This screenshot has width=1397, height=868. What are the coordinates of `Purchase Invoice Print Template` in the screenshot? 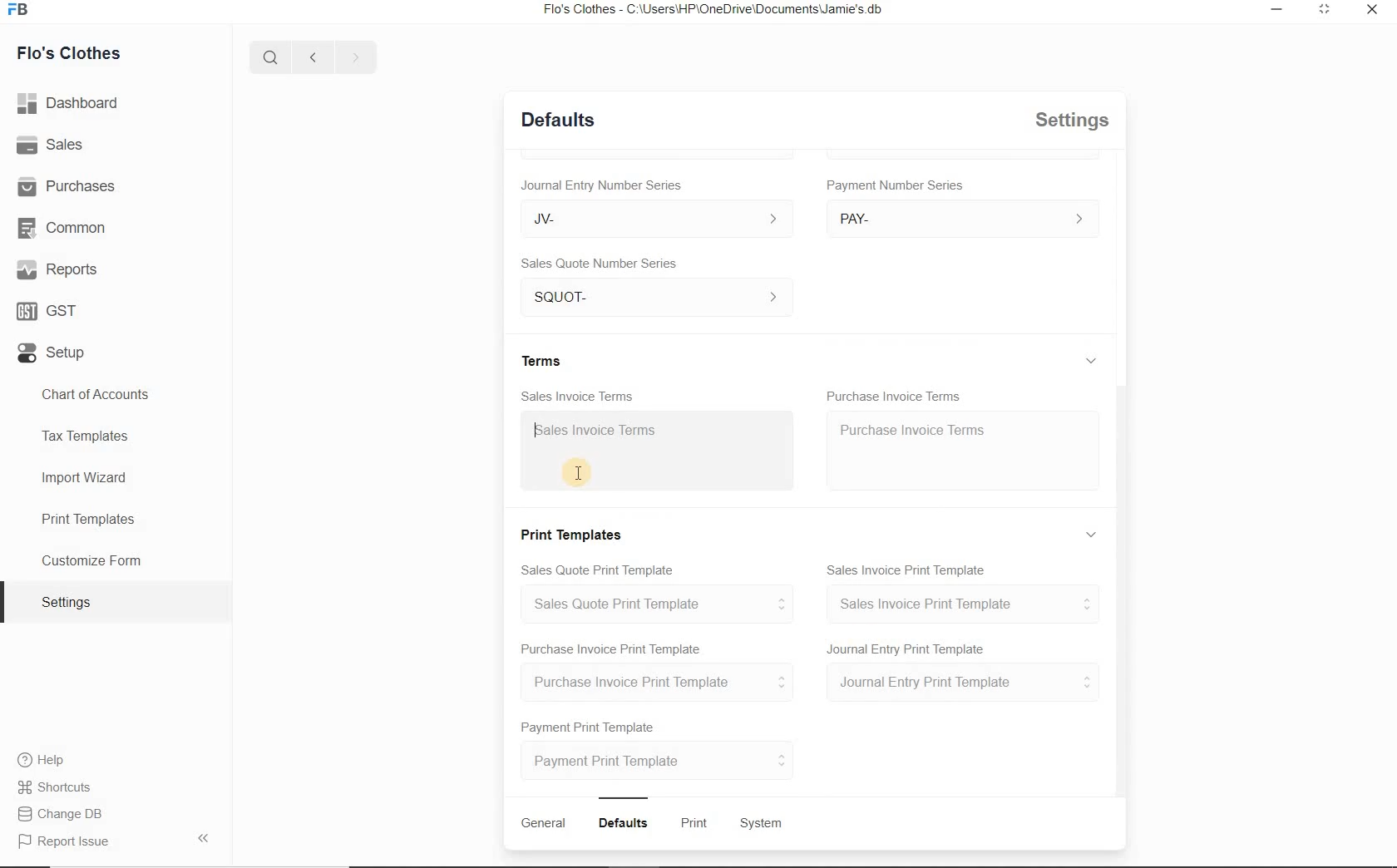 It's located at (656, 681).